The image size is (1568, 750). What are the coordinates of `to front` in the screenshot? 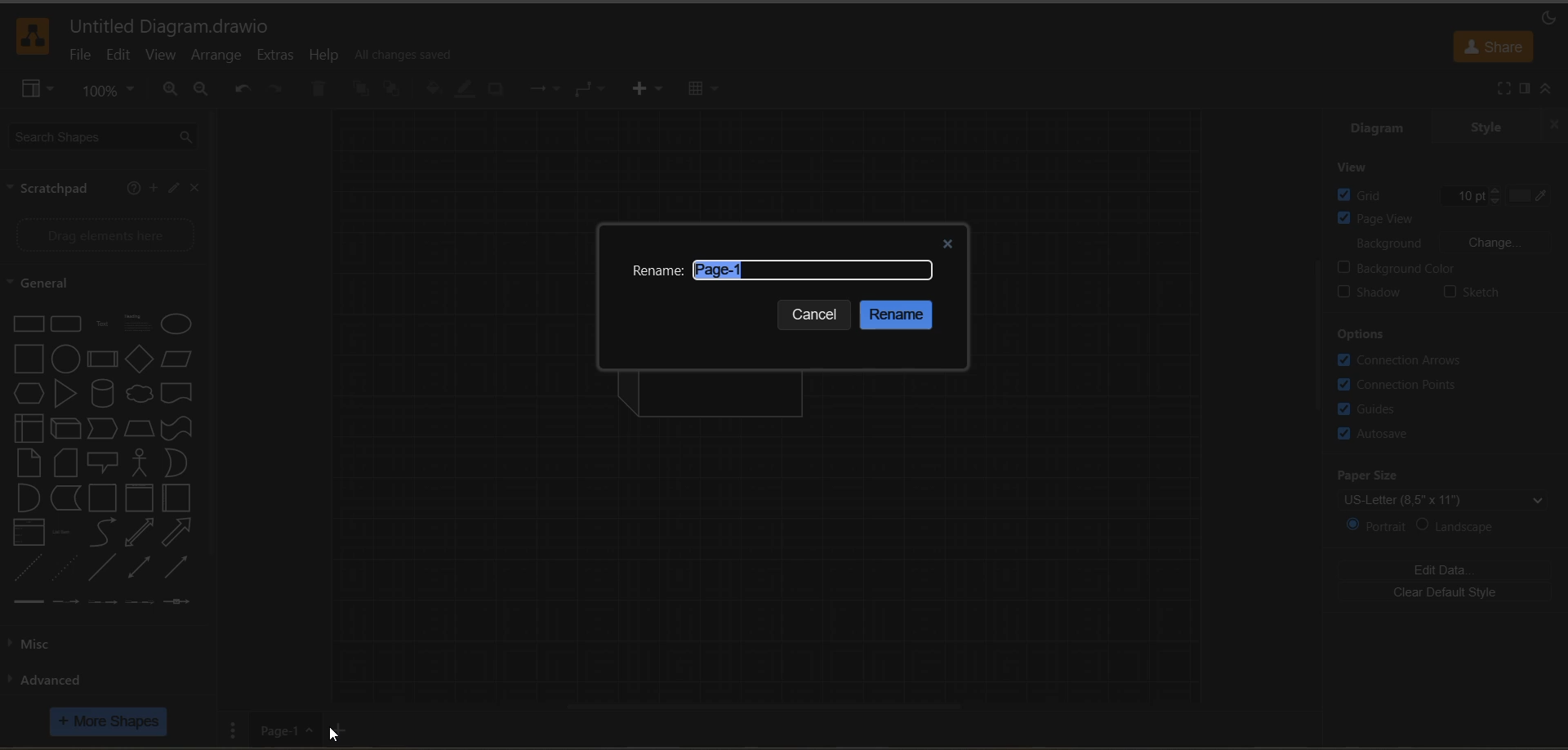 It's located at (362, 91).